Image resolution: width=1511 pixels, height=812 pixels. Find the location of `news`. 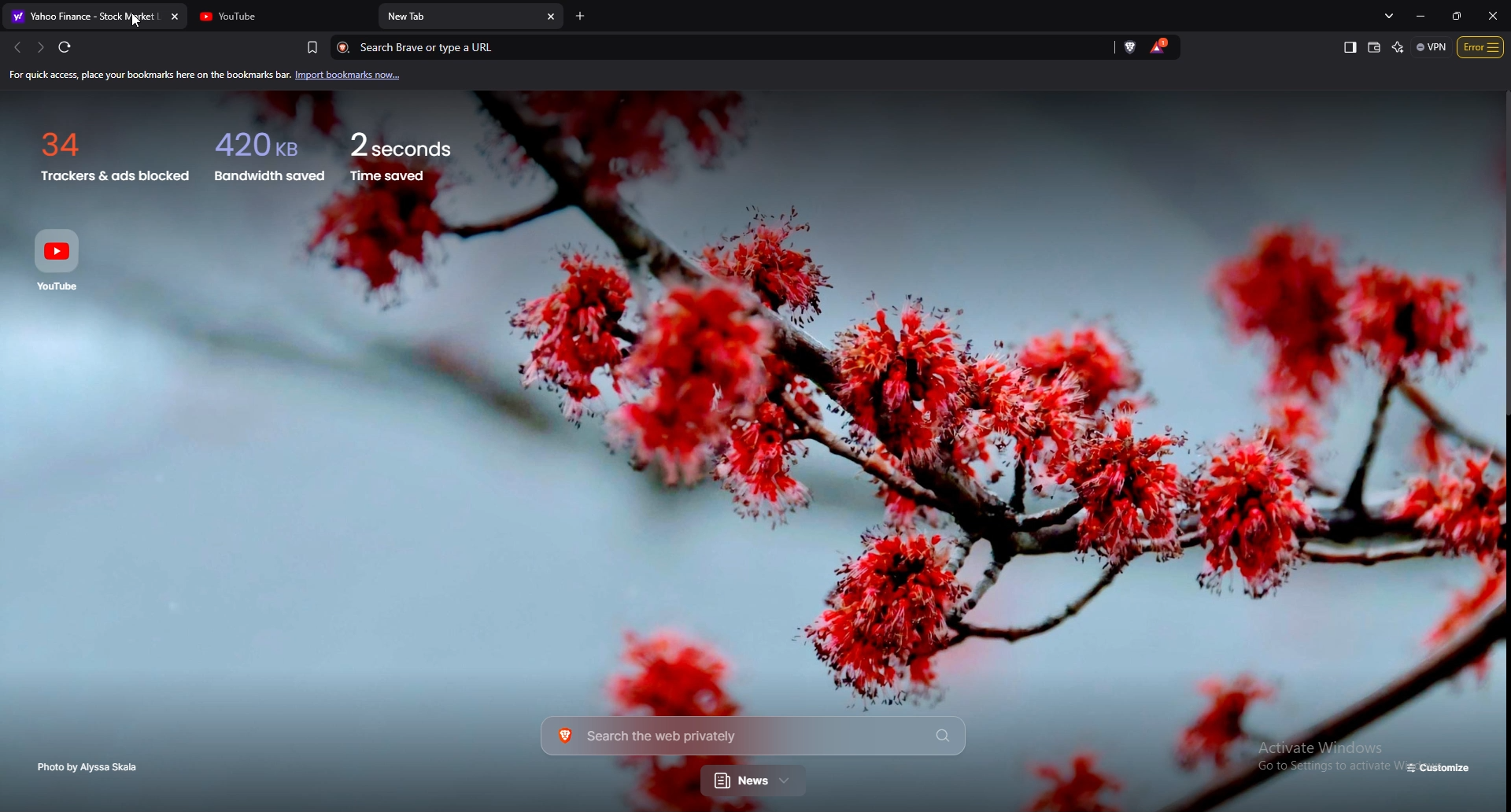

news is located at coordinates (755, 782).